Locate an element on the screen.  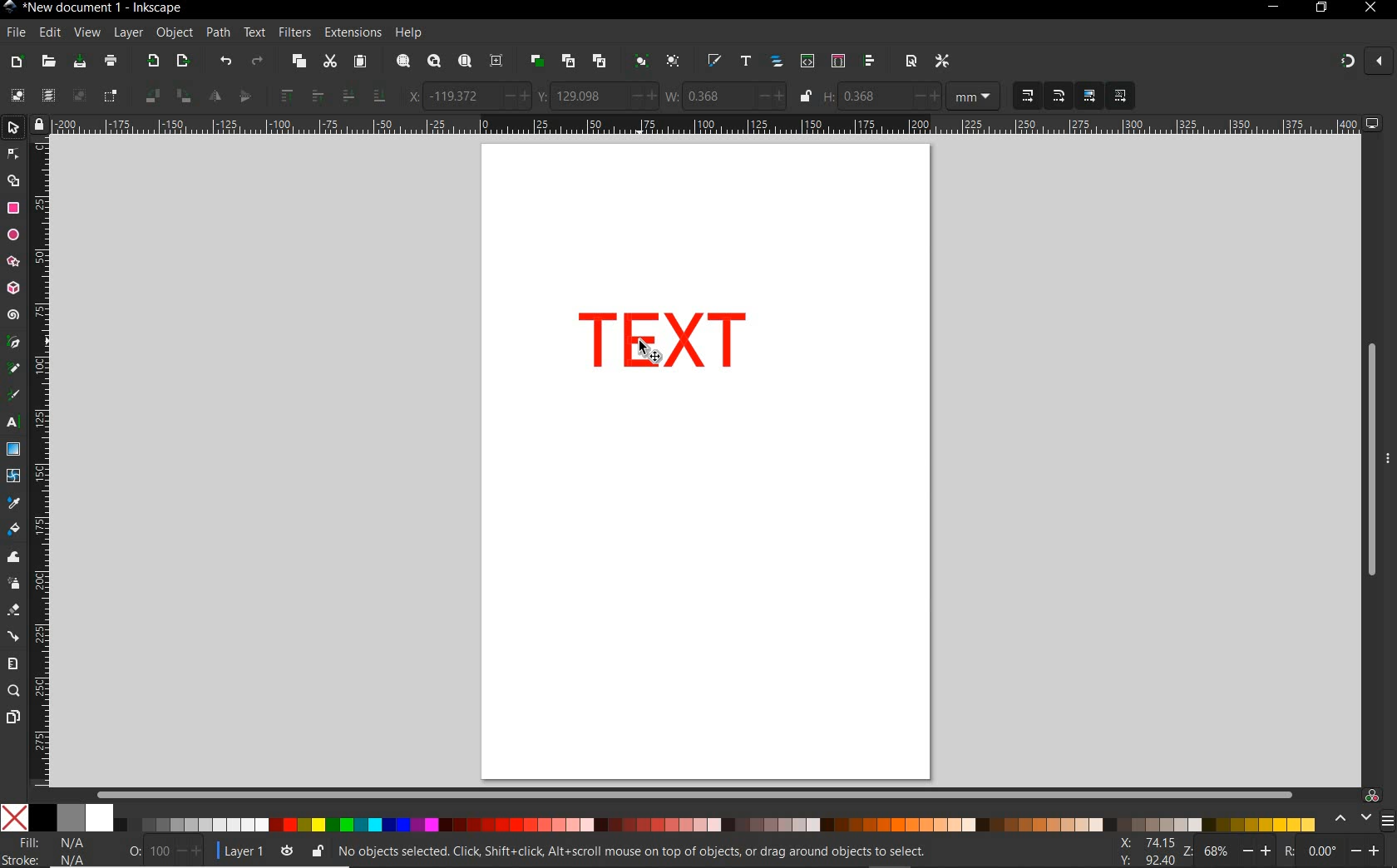
OPEN EXPORT is located at coordinates (184, 62).